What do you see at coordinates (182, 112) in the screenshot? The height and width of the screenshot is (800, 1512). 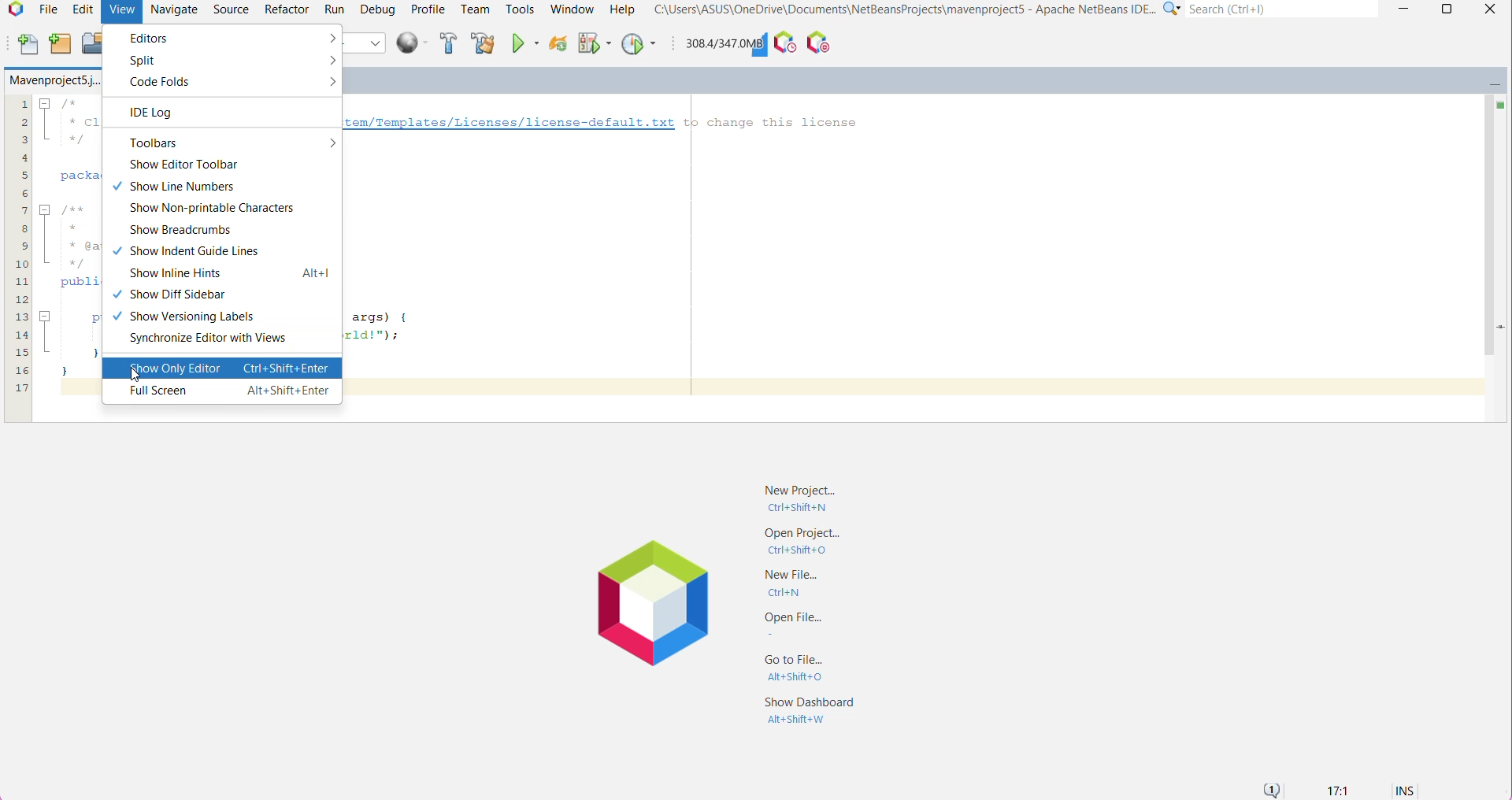 I see `IDE Log` at bounding box center [182, 112].